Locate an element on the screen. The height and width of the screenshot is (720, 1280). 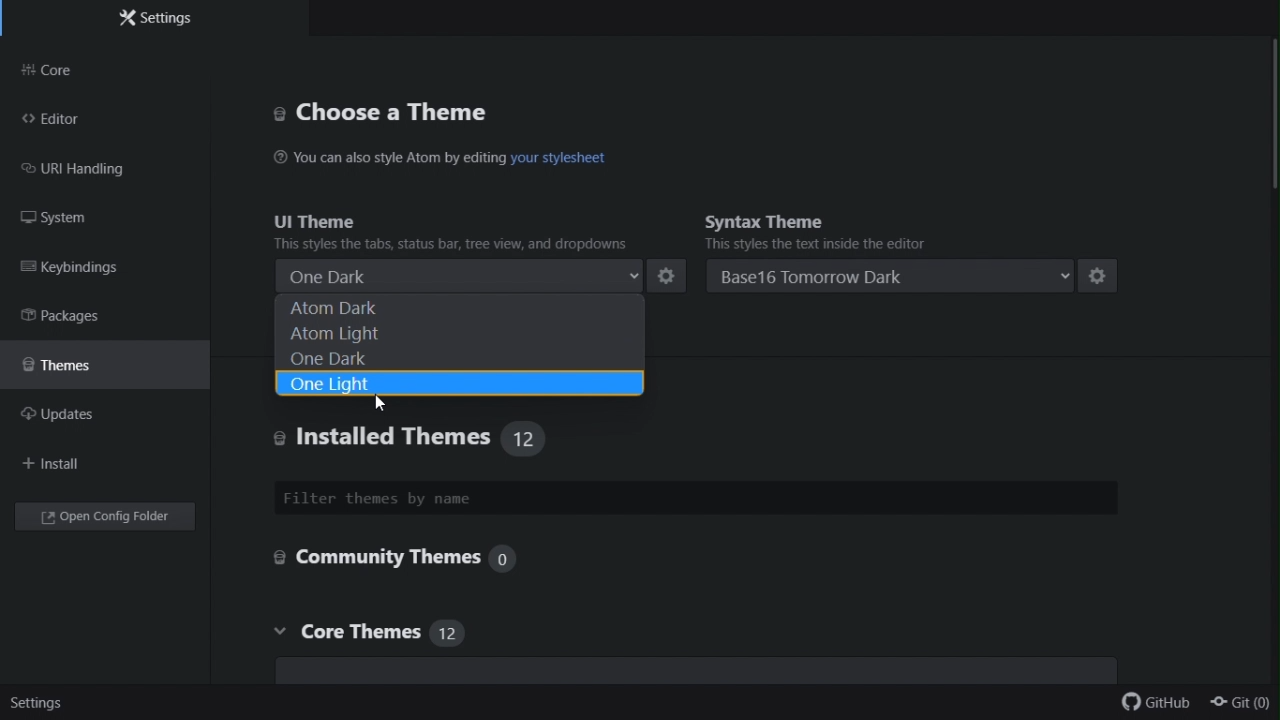
your stylesheet is located at coordinates (559, 158).